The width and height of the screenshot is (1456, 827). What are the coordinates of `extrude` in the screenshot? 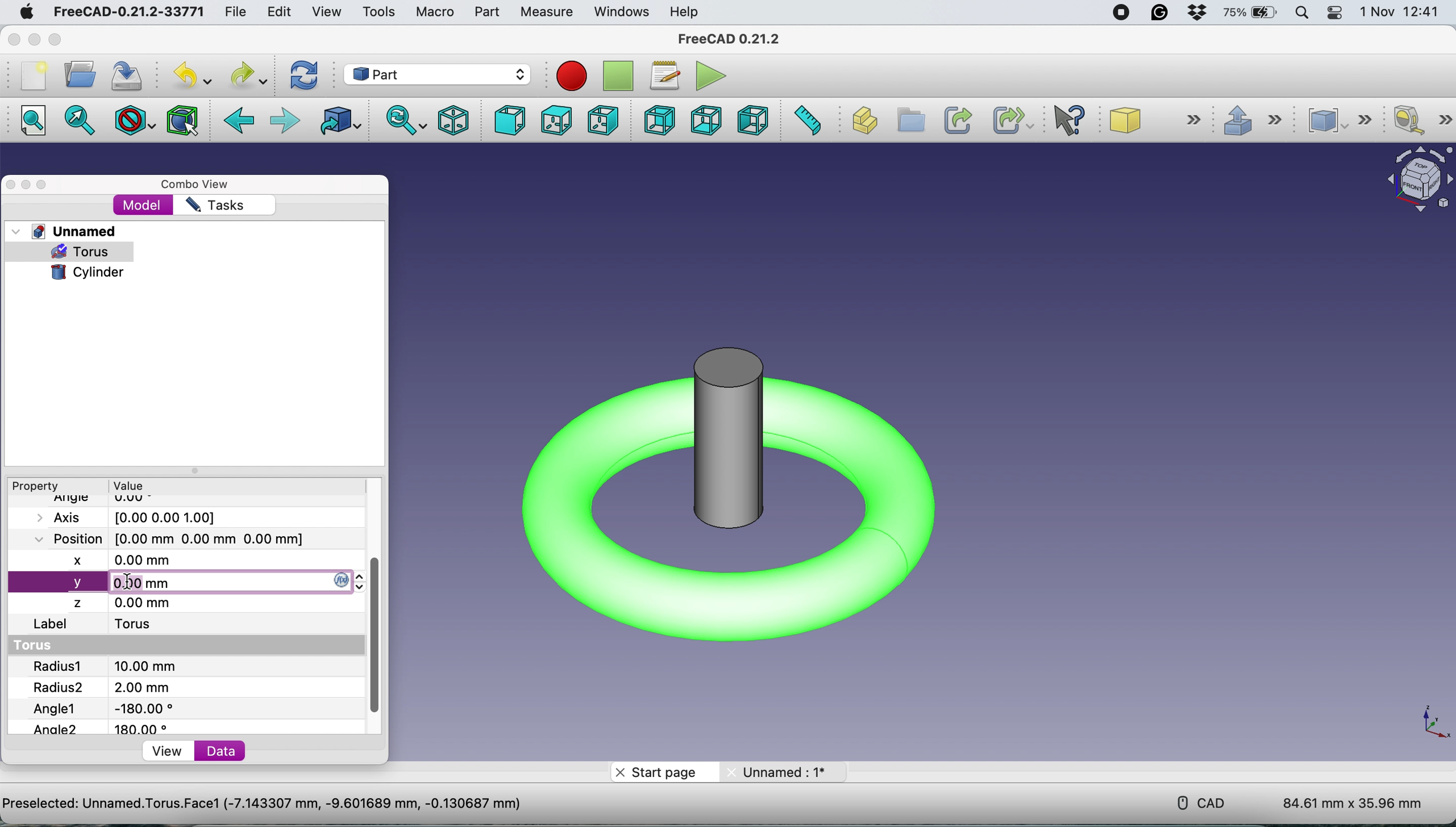 It's located at (1260, 124).